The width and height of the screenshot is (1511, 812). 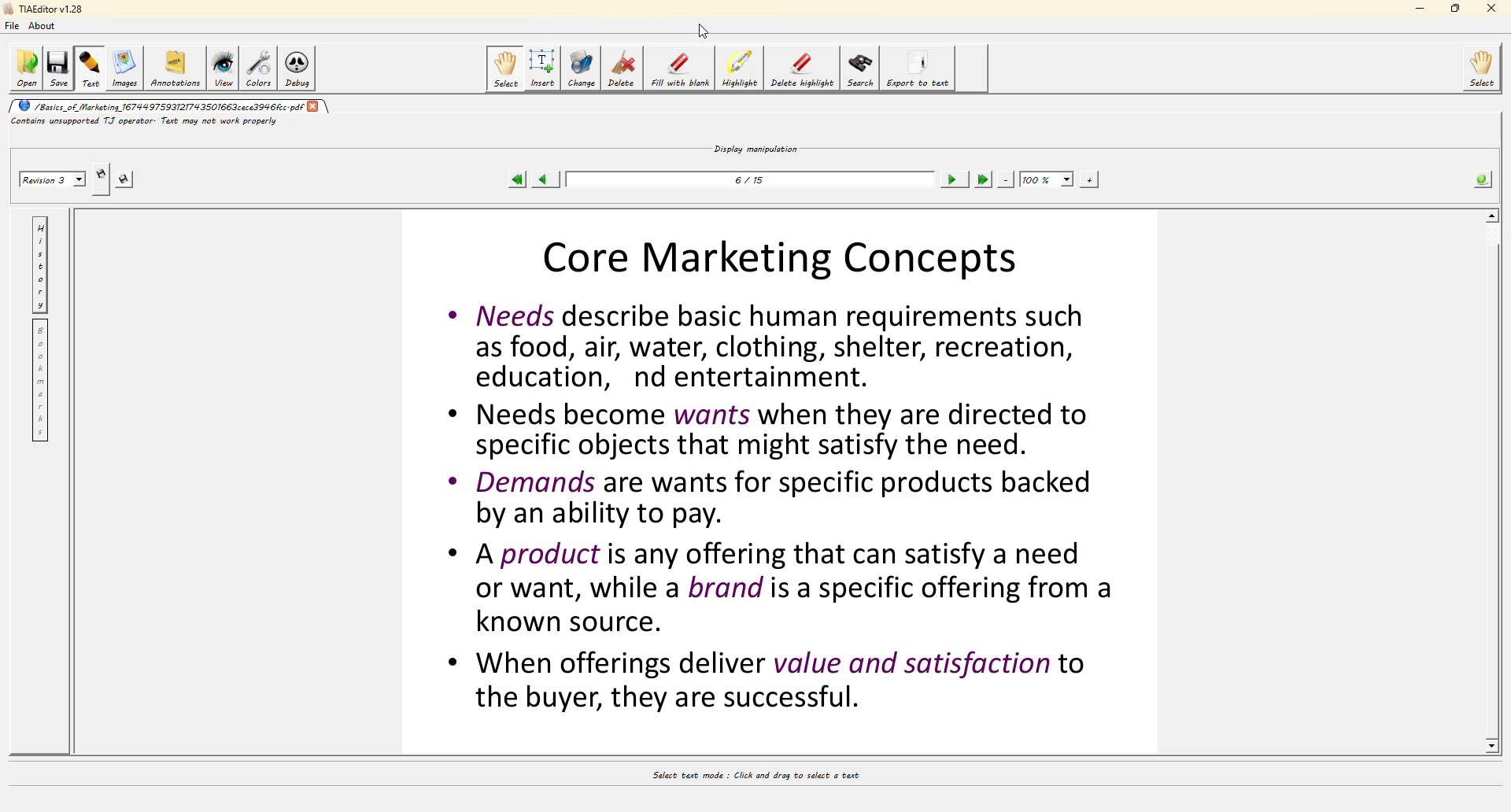 What do you see at coordinates (1456, 8) in the screenshot?
I see `maximize` at bounding box center [1456, 8].